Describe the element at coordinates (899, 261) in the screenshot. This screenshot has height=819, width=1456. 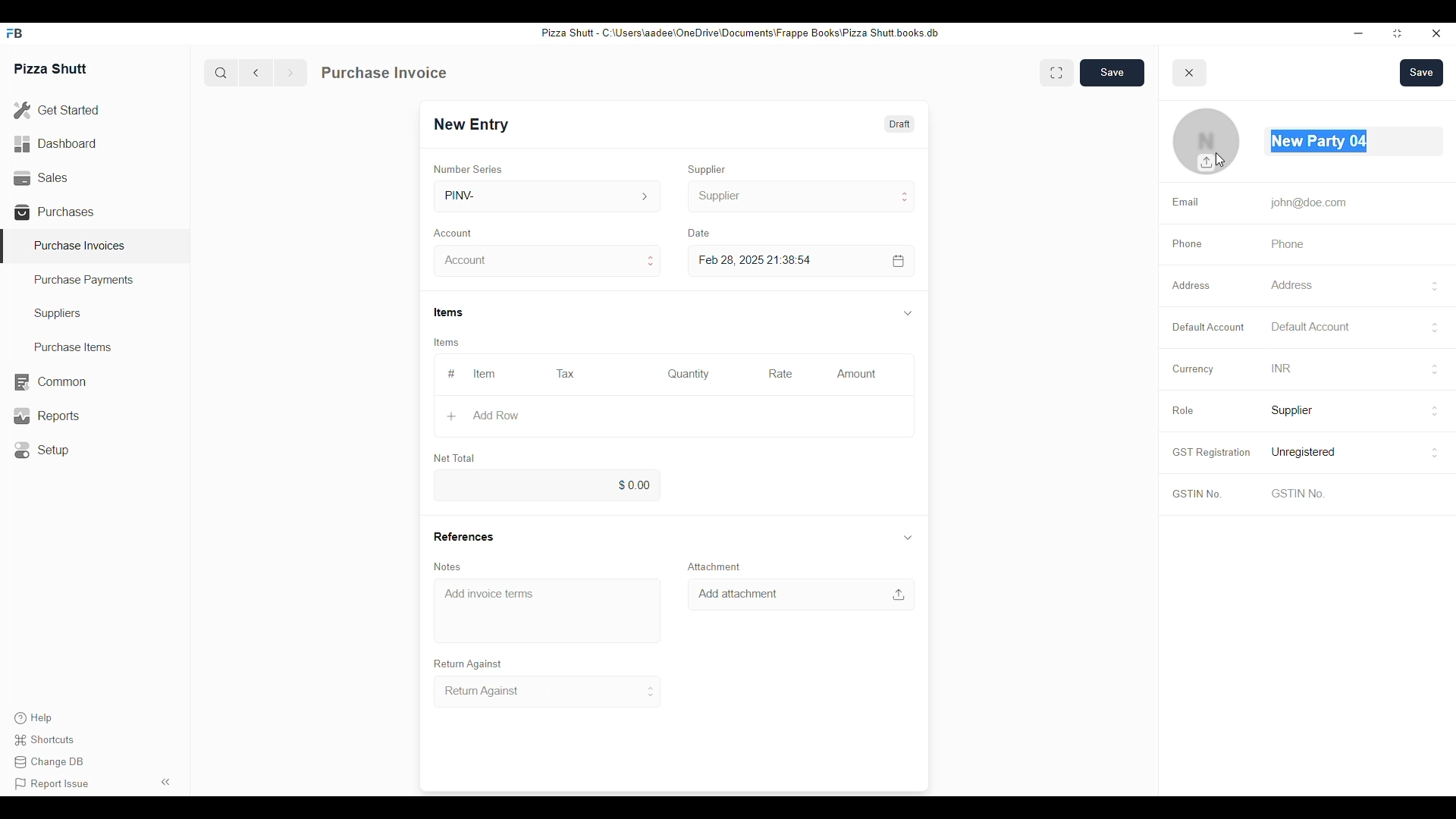
I see `calendar` at that location.